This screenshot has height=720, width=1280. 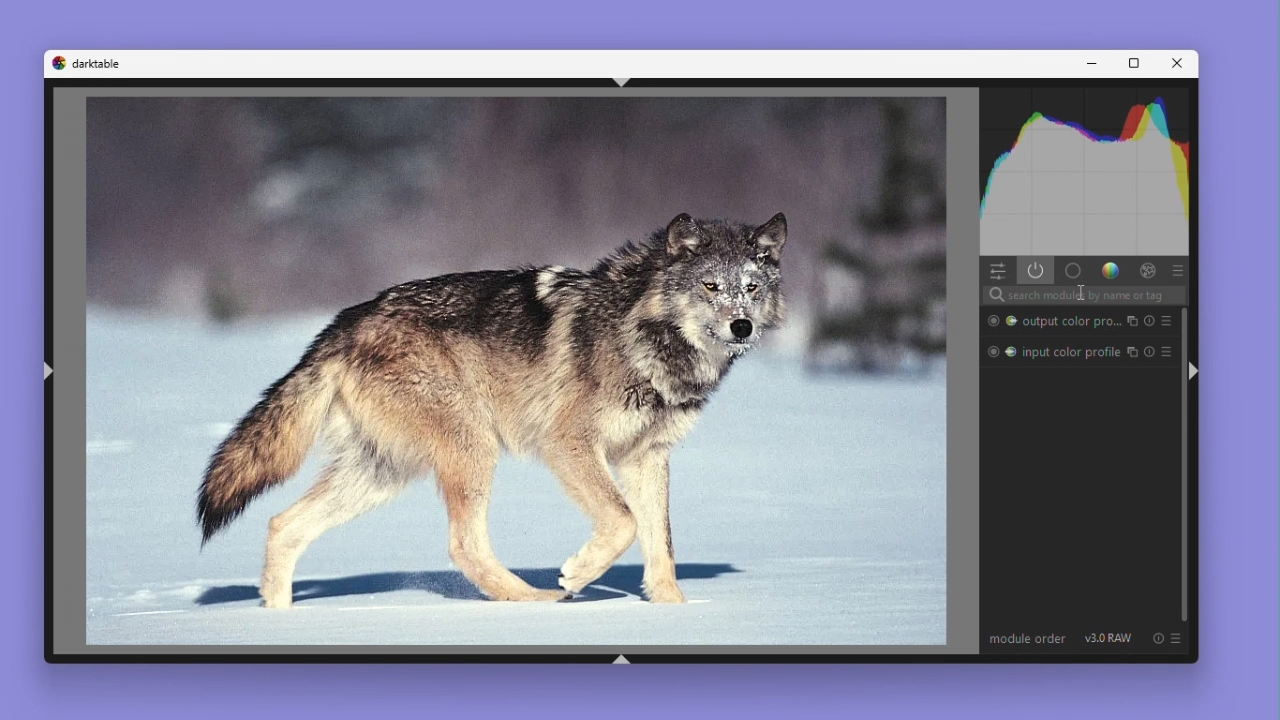 I want to click on Close, so click(x=1173, y=63).